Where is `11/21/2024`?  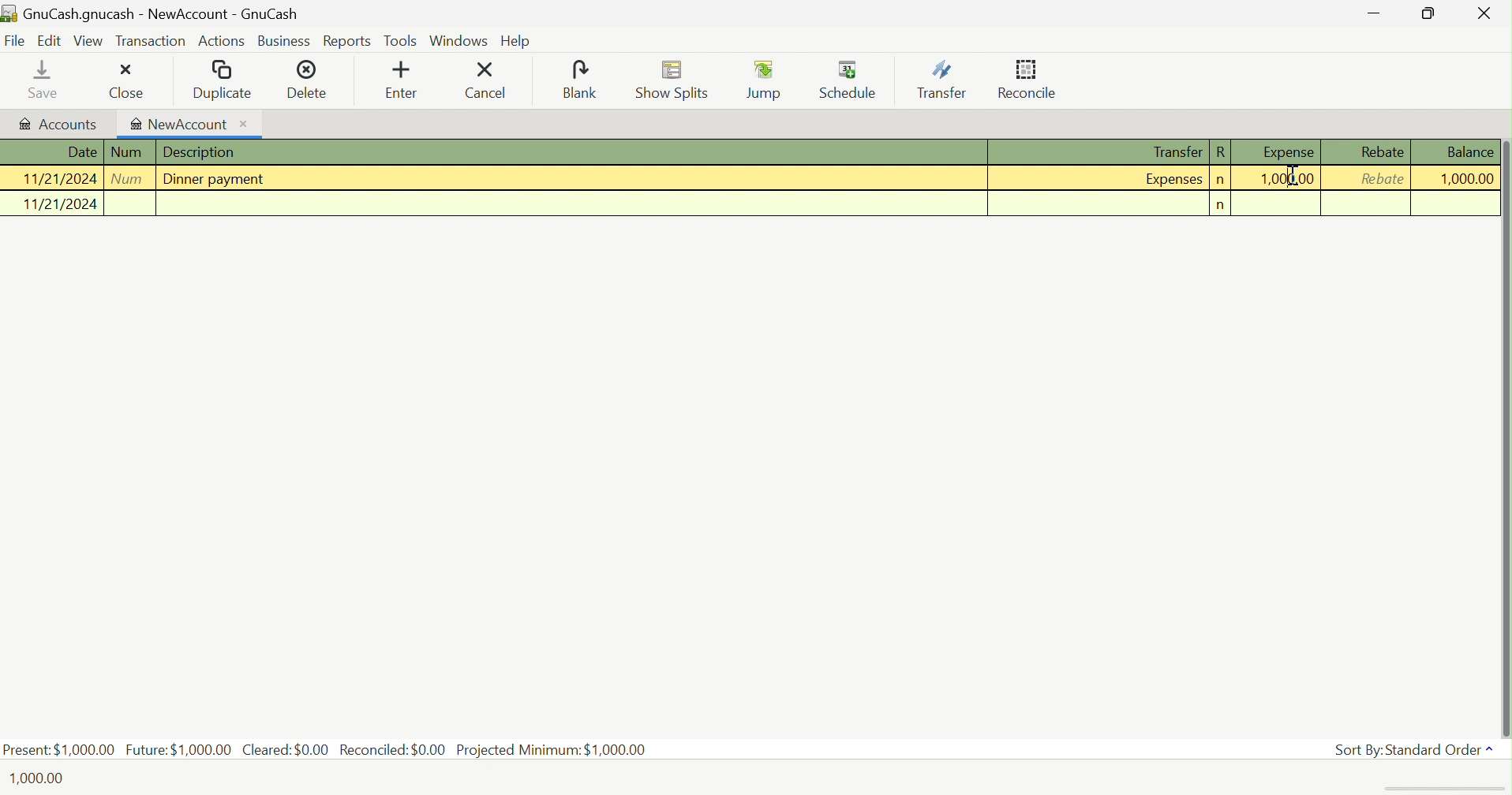 11/21/2024 is located at coordinates (58, 179).